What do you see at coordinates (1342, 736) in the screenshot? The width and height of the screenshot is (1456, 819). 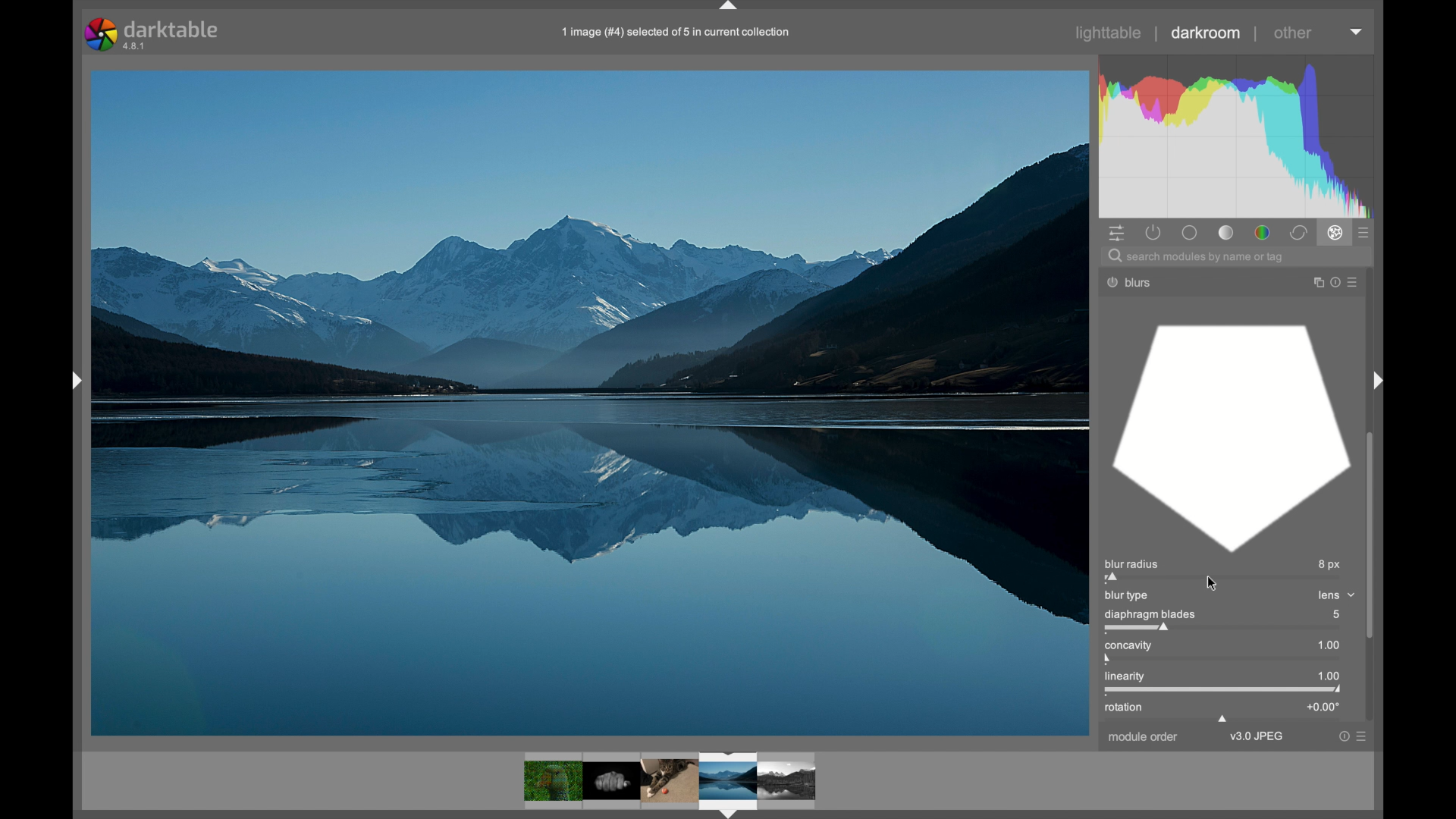 I see `help` at bounding box center [1342, 736].